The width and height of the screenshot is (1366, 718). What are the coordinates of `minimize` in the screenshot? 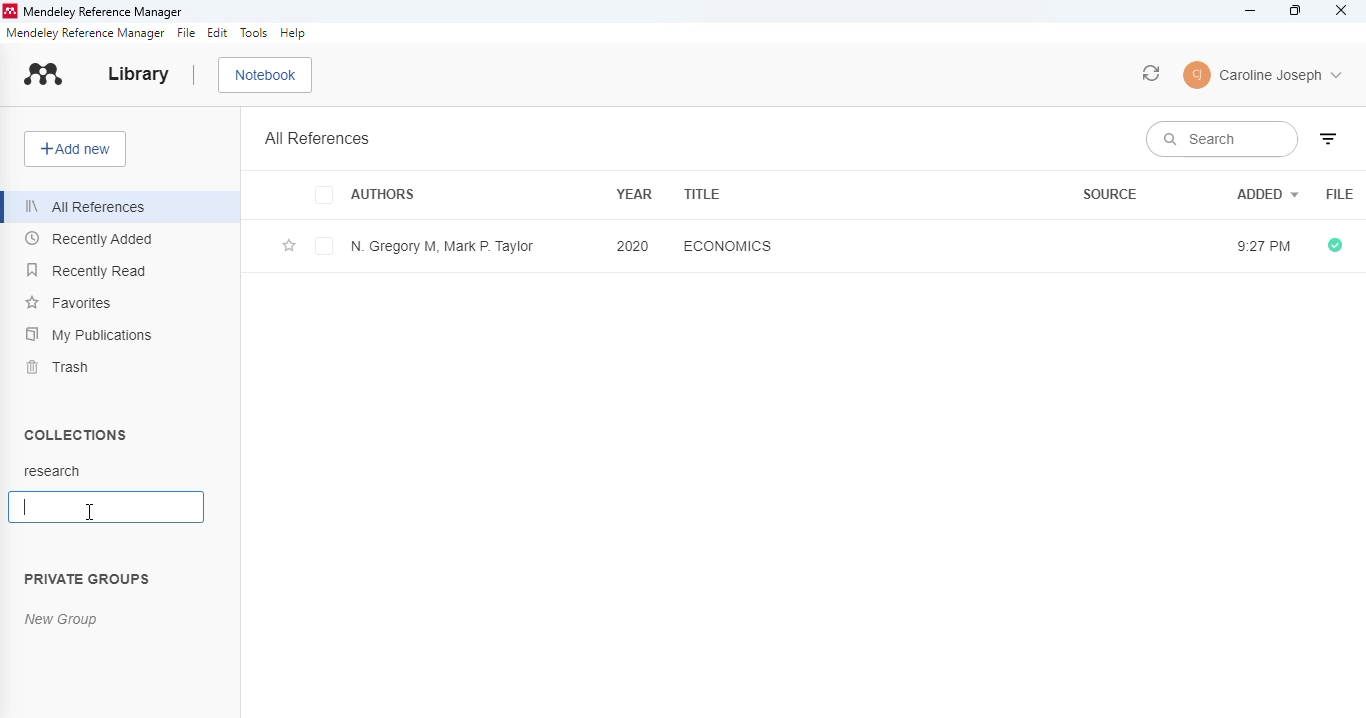 It's located at (1251, 11).